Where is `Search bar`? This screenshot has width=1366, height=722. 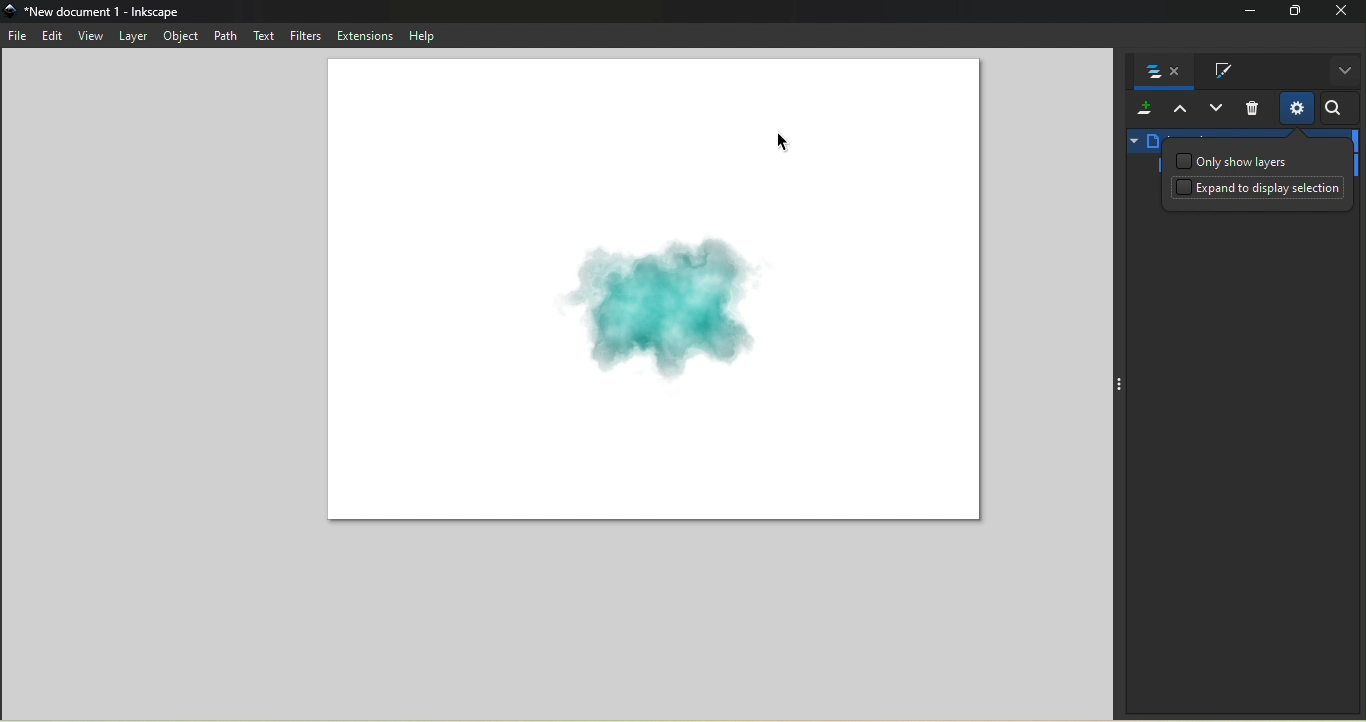 Search bar is located at coordinates (1337, 109).